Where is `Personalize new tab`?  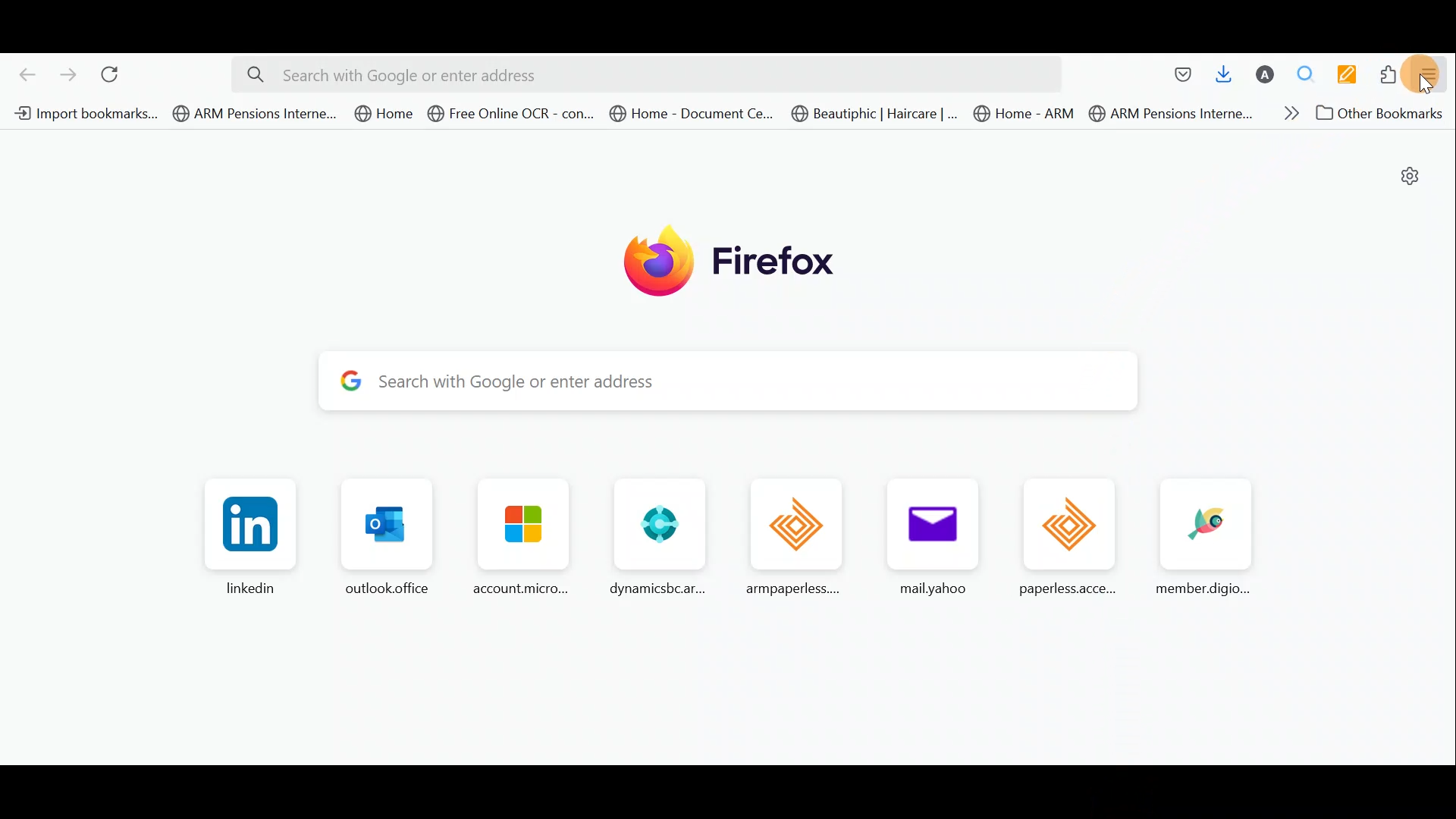 Personalize new tab is located at coordinates (1409, 176).